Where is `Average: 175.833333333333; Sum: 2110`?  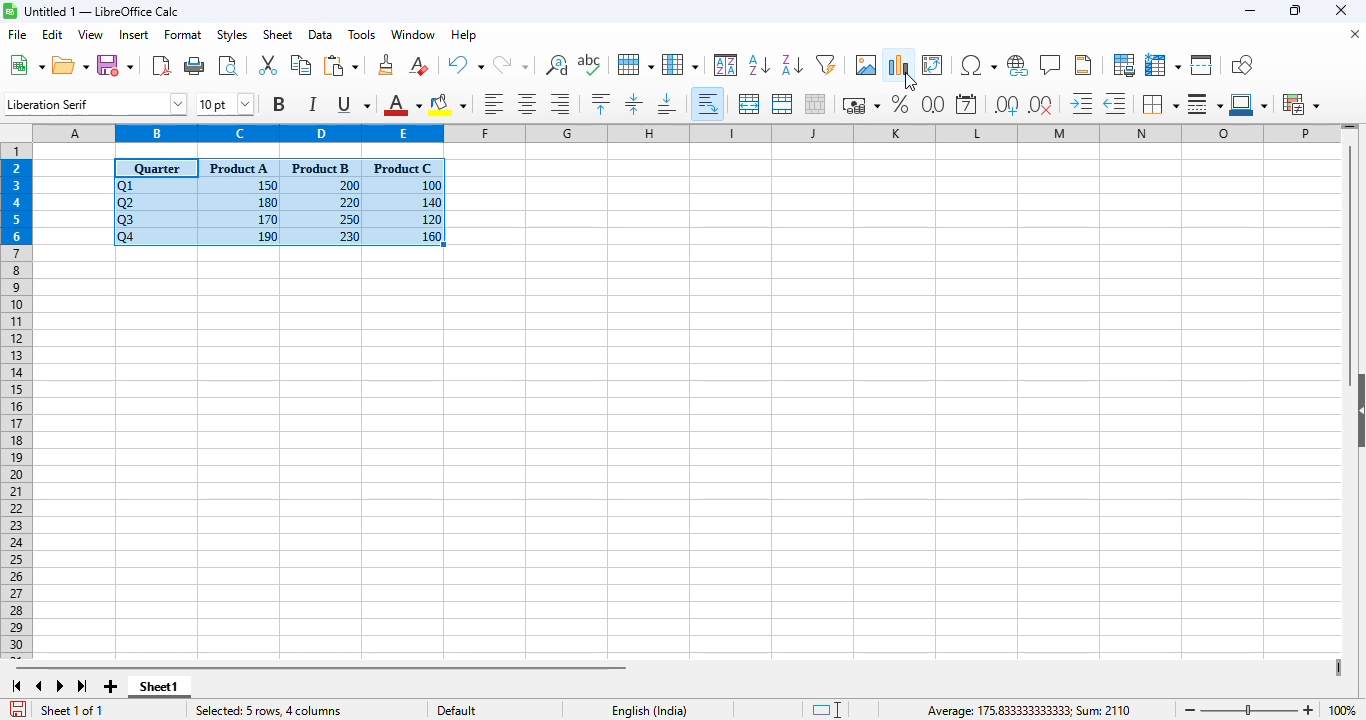
Average: 175.833333333333; Sum: 2110 is located at coordinates (1028, 710).